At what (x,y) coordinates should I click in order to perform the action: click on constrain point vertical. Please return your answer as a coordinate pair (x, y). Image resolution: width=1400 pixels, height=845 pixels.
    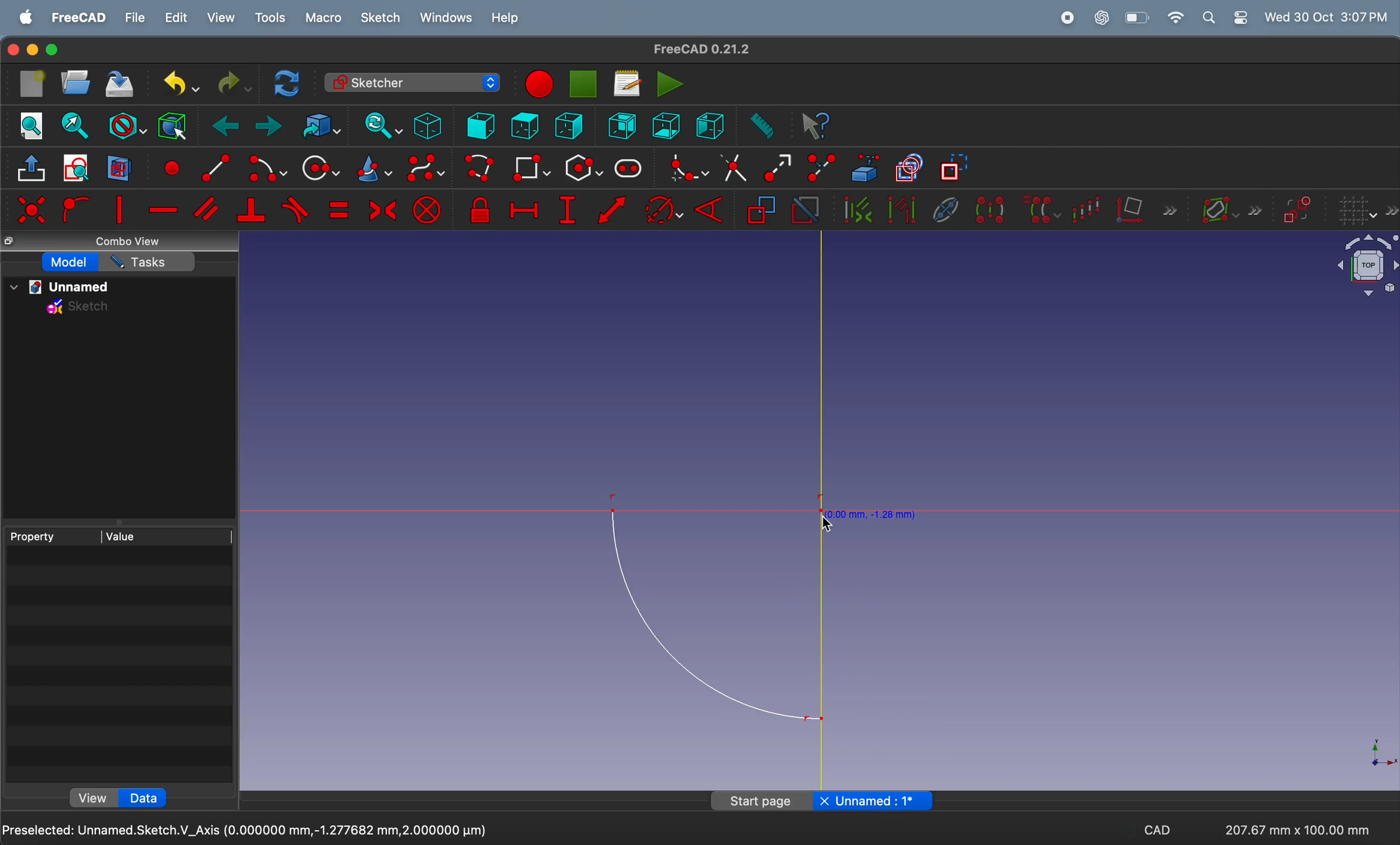
    Looking at the image, I should click on (119, 210).